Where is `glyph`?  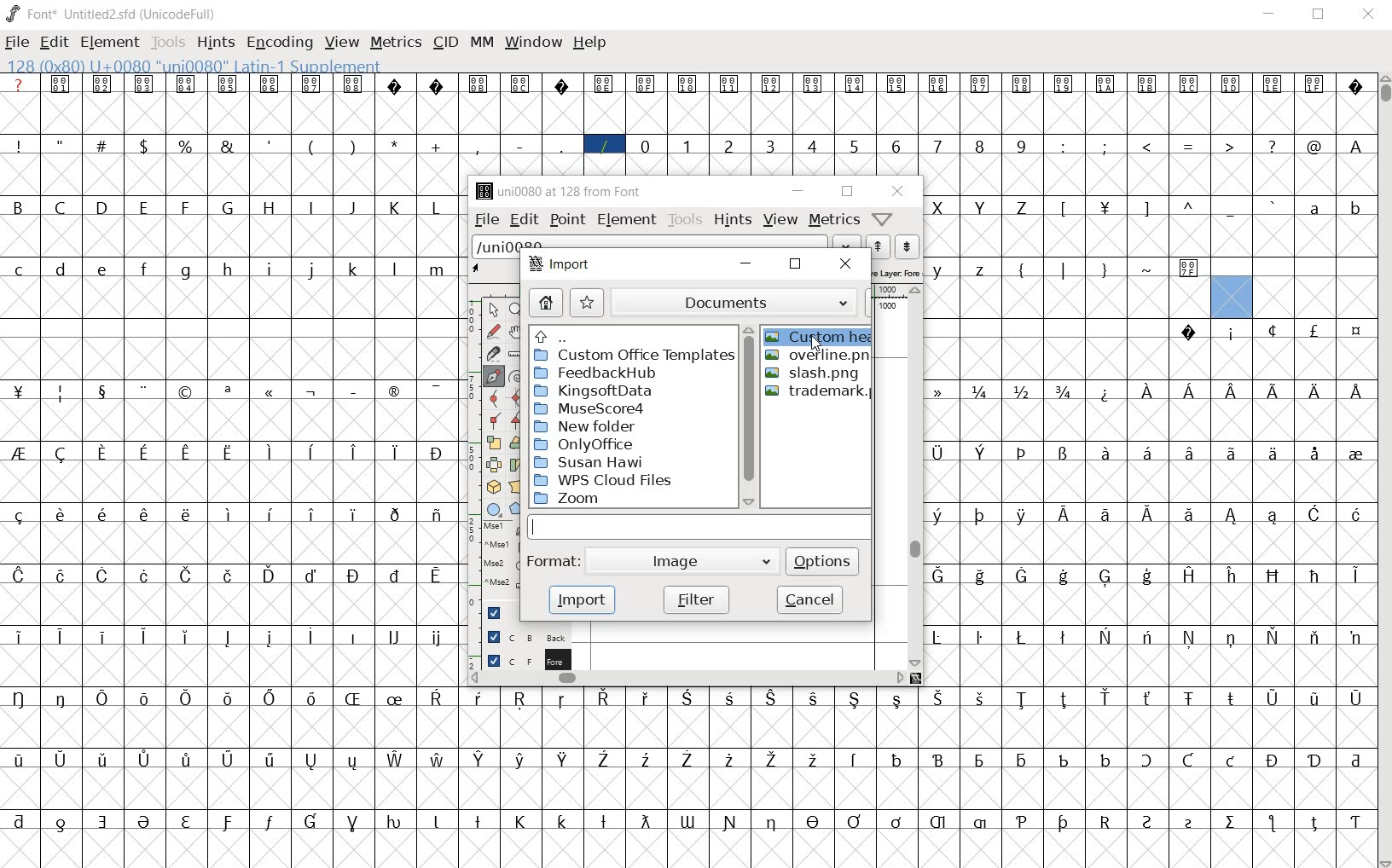
glyph is located at coordinates (391, 391).